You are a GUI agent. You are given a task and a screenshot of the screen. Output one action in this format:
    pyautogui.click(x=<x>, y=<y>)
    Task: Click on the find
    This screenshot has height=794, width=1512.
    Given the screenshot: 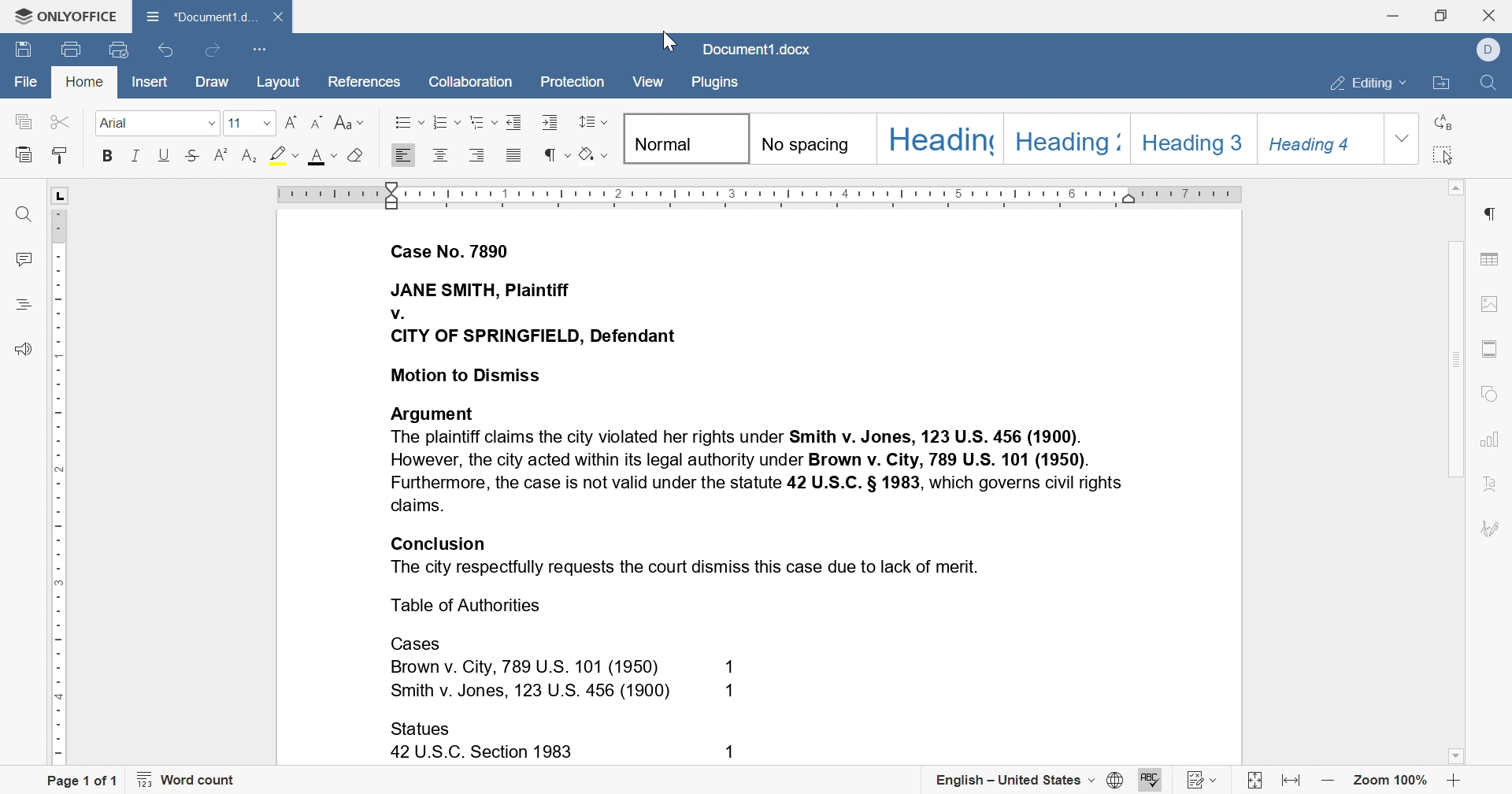 What is the action you would take?
    pyautogui.click(x=1495, y=84)
    